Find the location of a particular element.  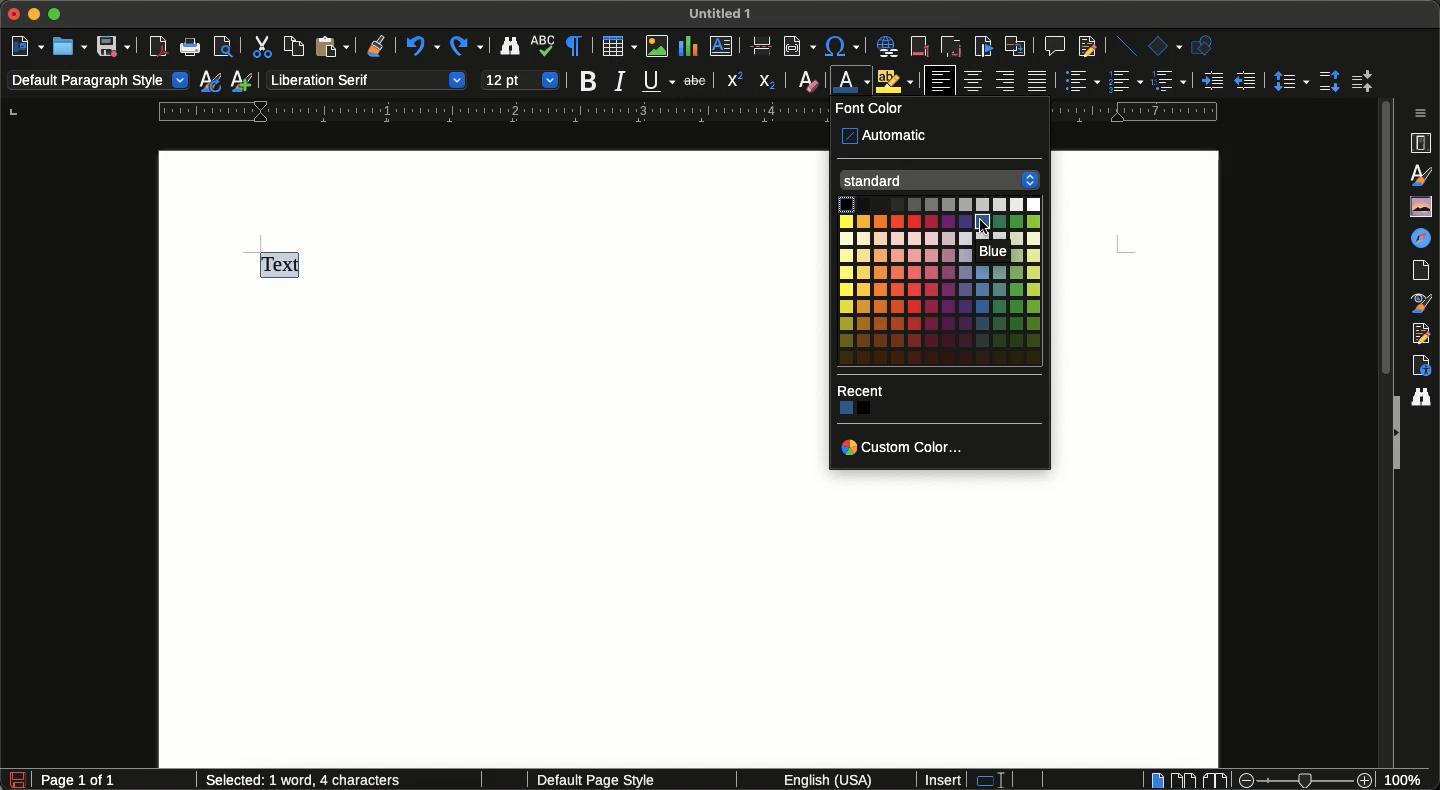

Justified is located at coordinates (1039, 81).